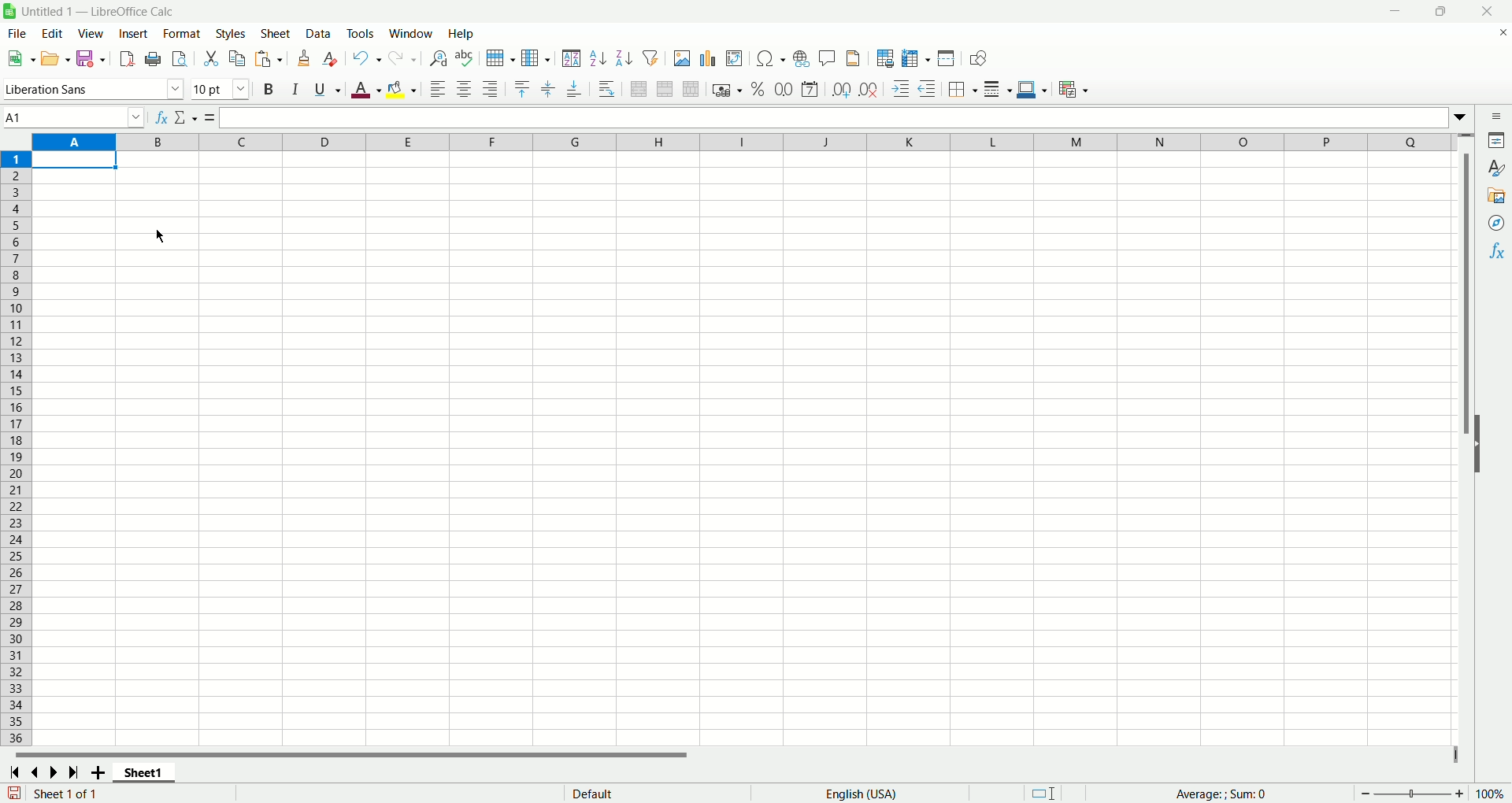 This screenshot has height=803, width=1512. Describe the element at coordinates (330, 58) in the screenshot. I see `clear formatting` at that location.